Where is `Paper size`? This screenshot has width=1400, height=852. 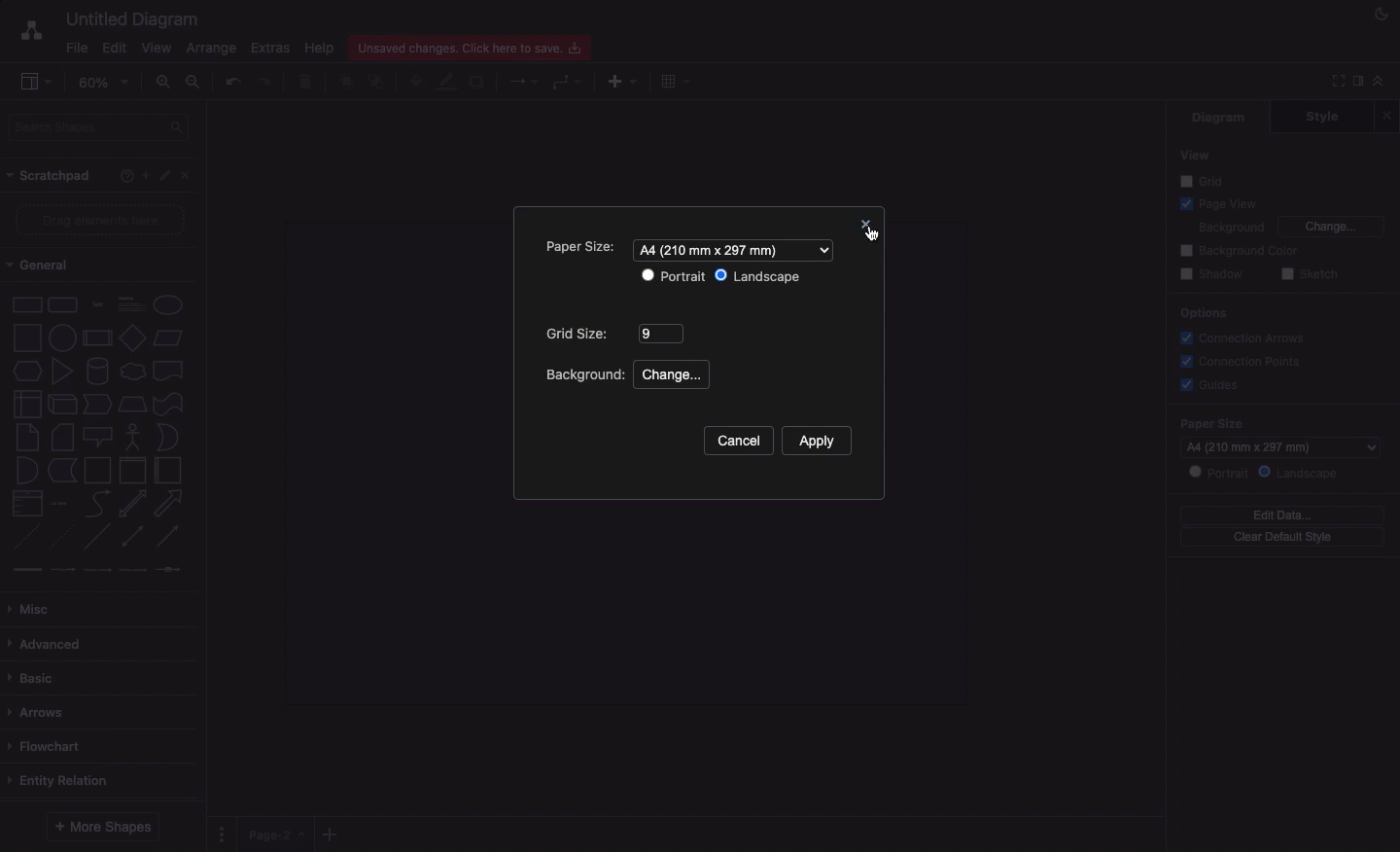 Paper size is located at coordinates (585, 248).